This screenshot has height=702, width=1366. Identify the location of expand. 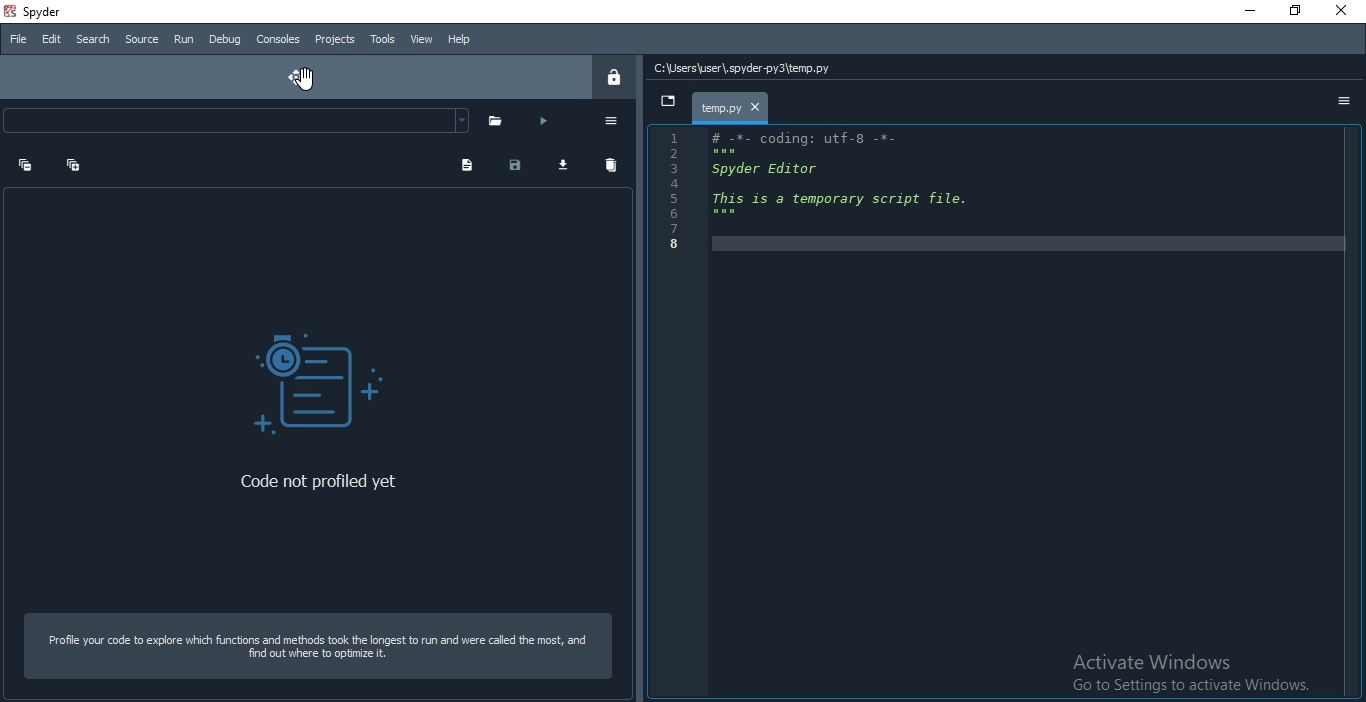
(26, 165).